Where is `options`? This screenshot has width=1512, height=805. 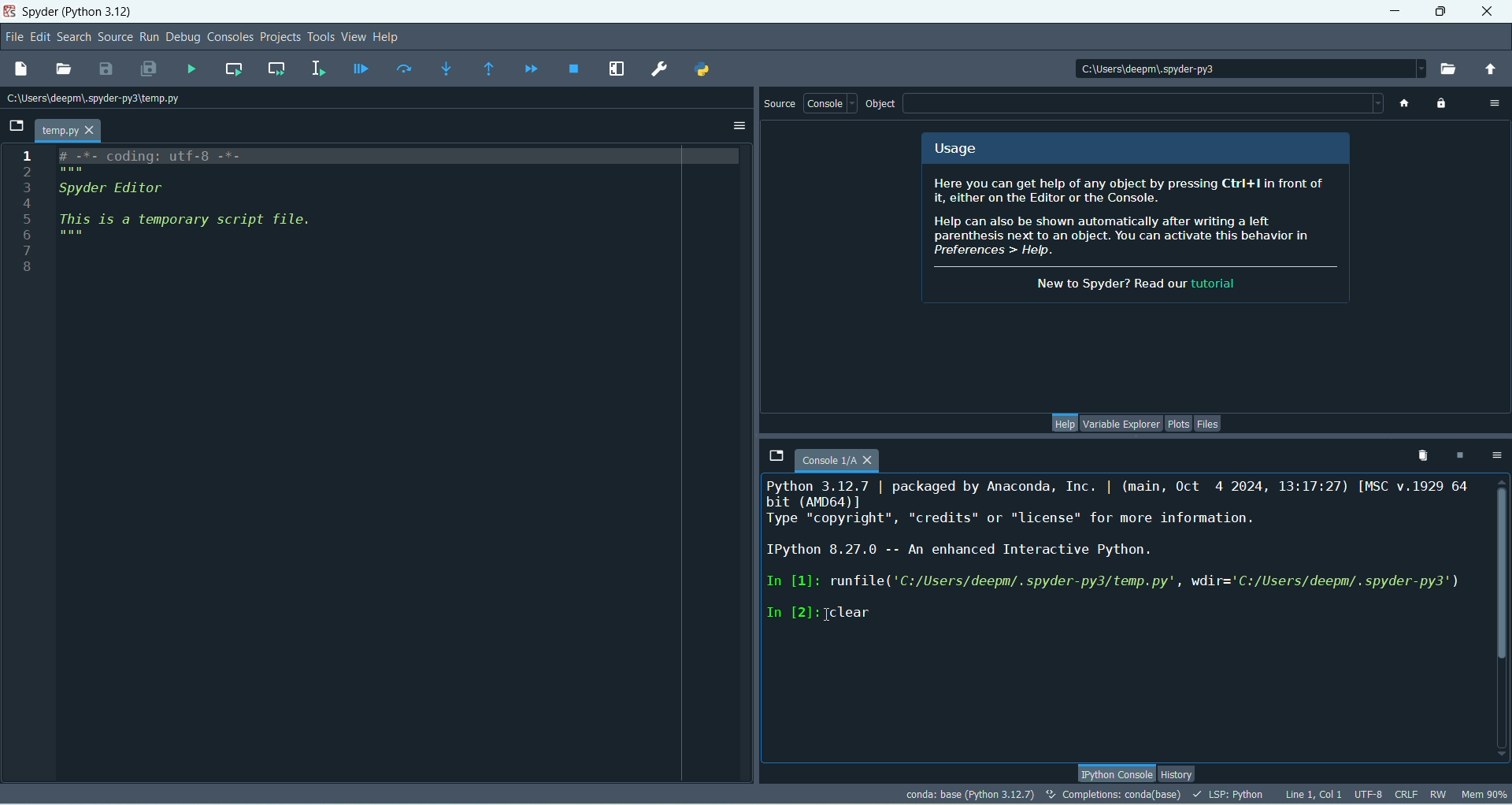
options is located at coordinates (1496, 454).